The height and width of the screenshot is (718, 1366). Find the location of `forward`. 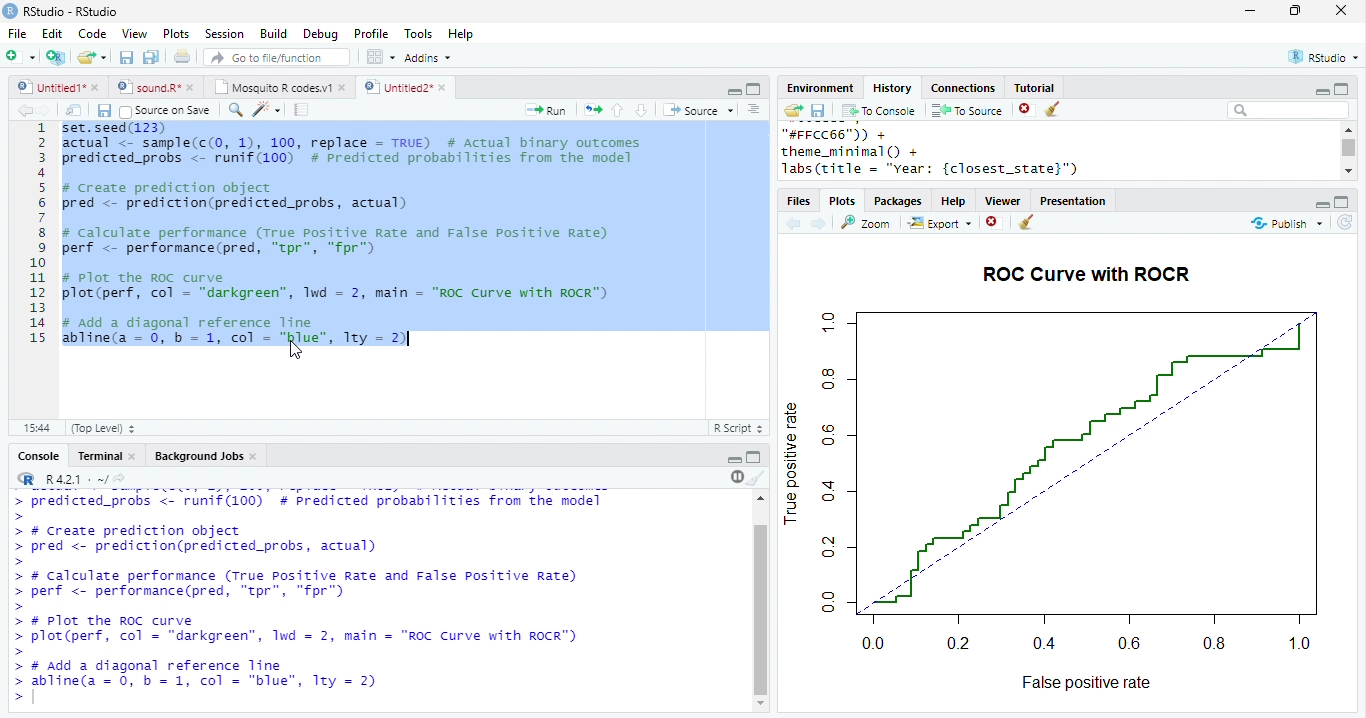

forward is located at coordinates (820, 225).